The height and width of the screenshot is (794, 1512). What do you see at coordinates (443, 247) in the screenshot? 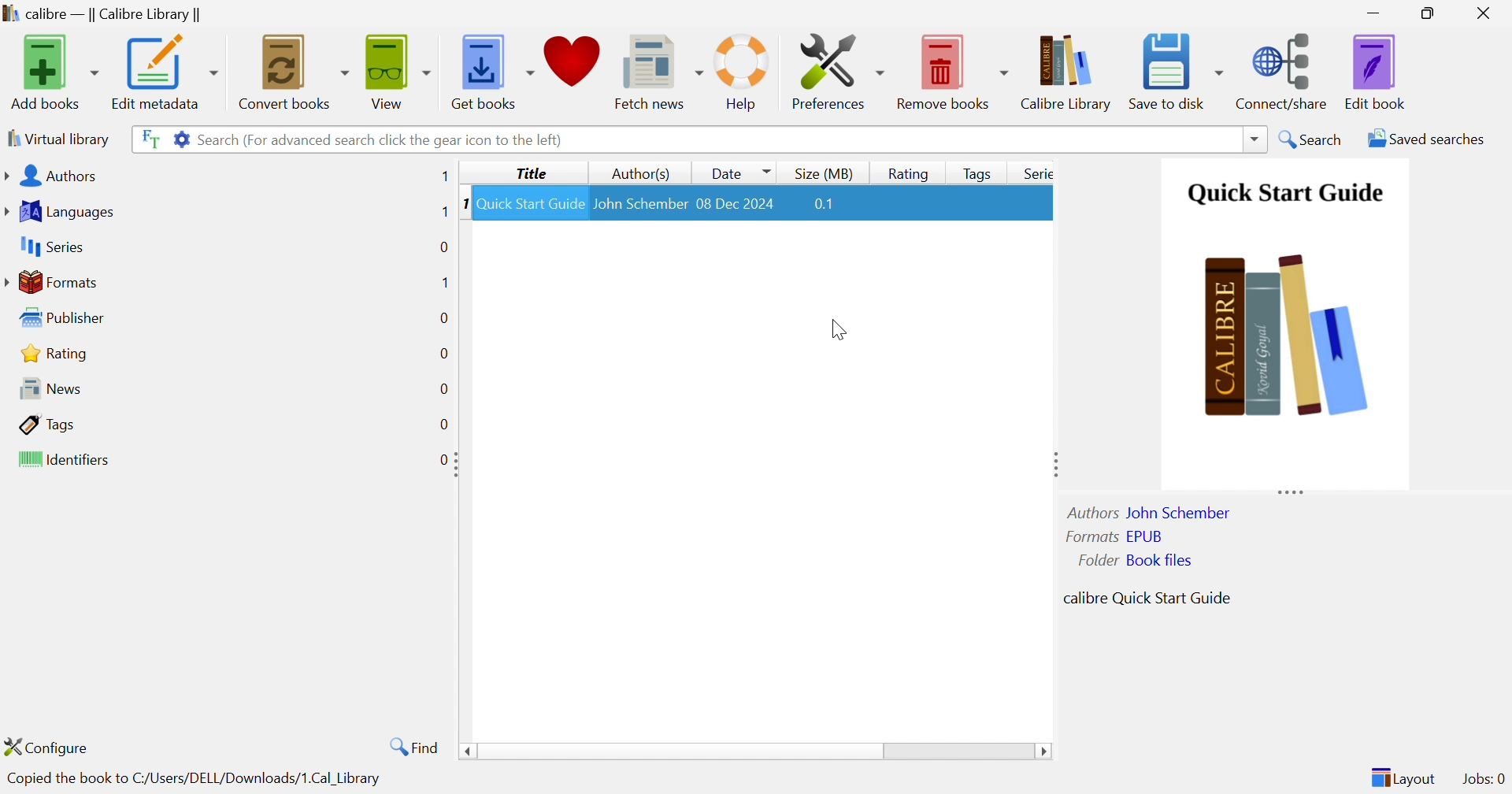
I see `0` at bounding box center [443, 247].